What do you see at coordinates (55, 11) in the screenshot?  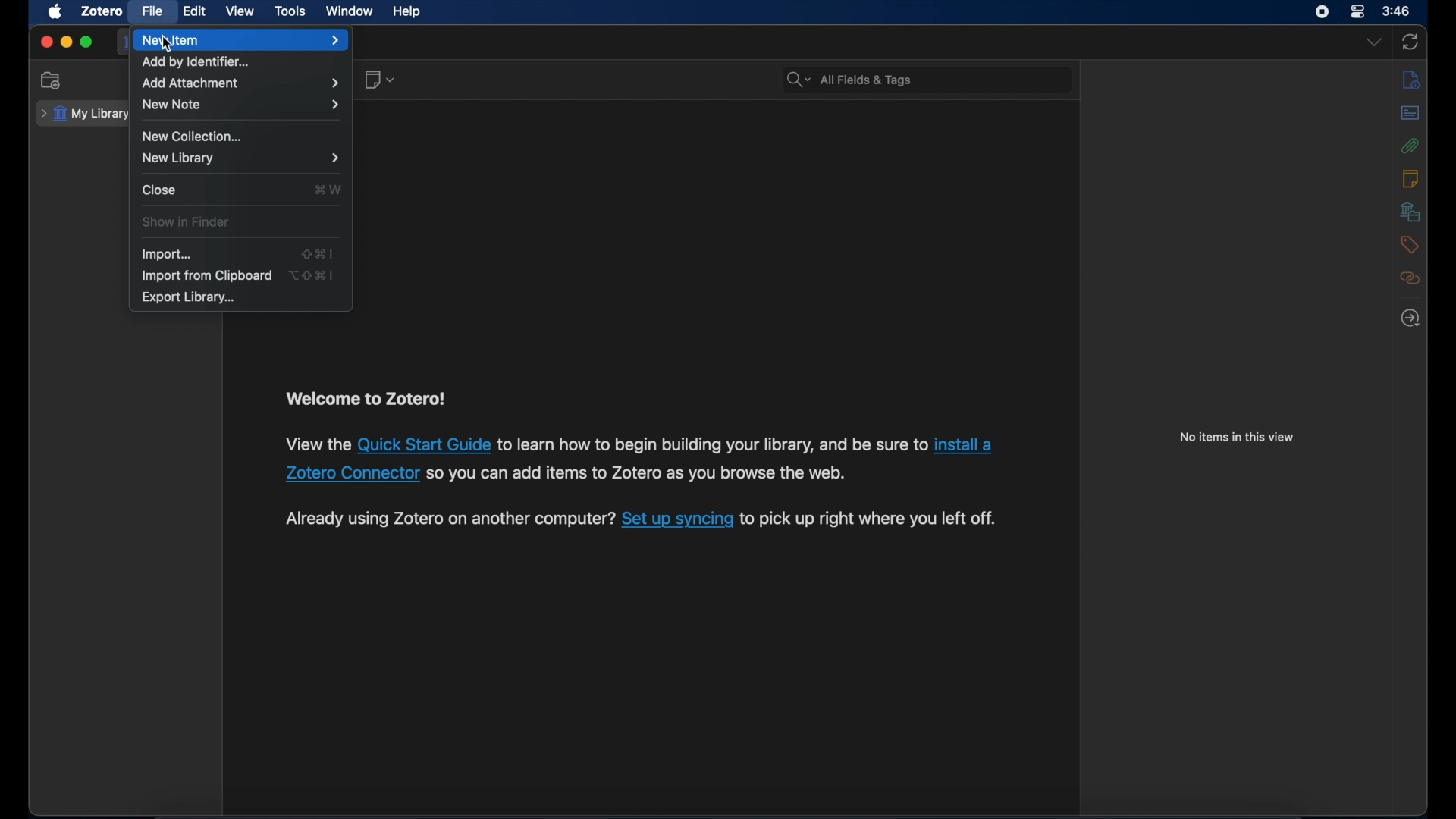 I see `apple` at bounding box center [55, 11].